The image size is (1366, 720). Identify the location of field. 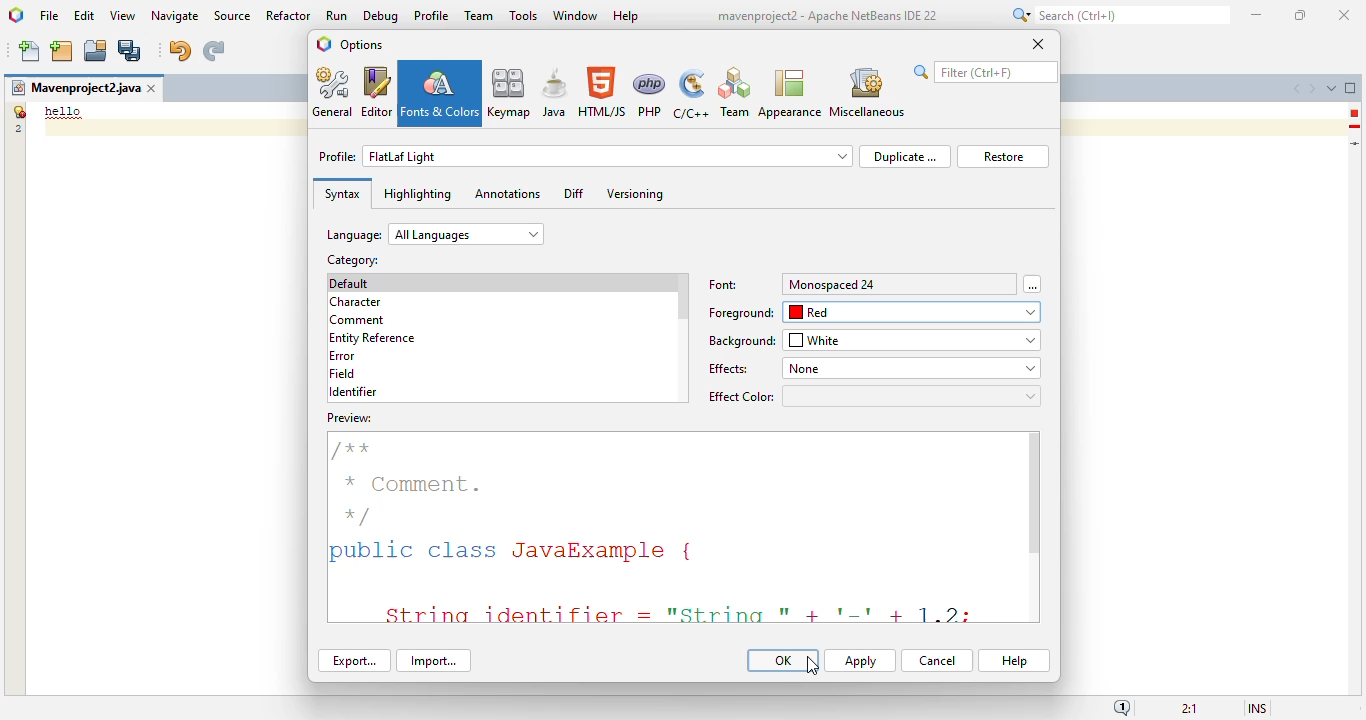
(342, 373).